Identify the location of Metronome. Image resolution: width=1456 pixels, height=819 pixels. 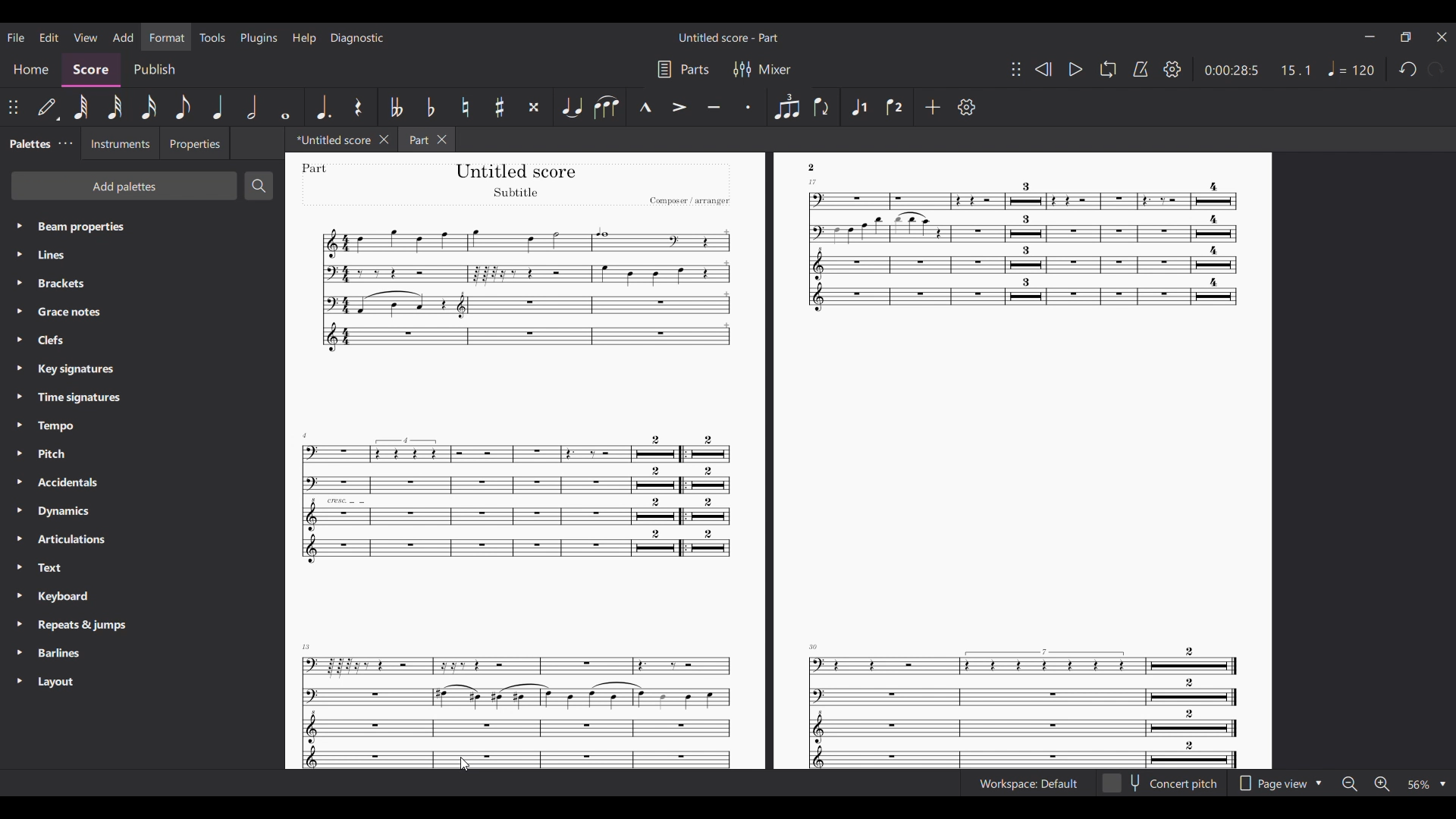
(1141, 69).